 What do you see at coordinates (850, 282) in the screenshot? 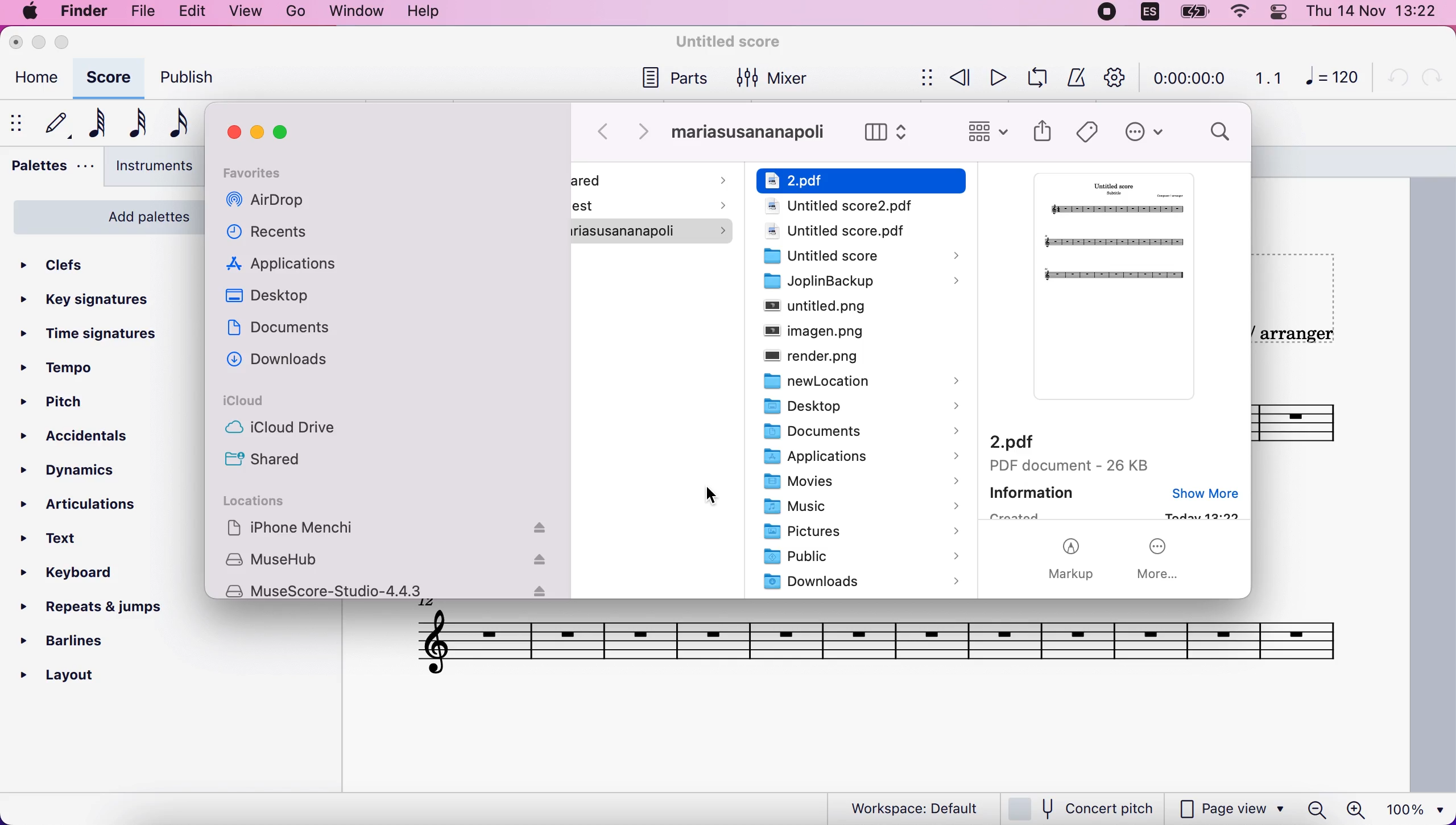
I see `.. JoplinBackup >` at bounding box center [850, 282].